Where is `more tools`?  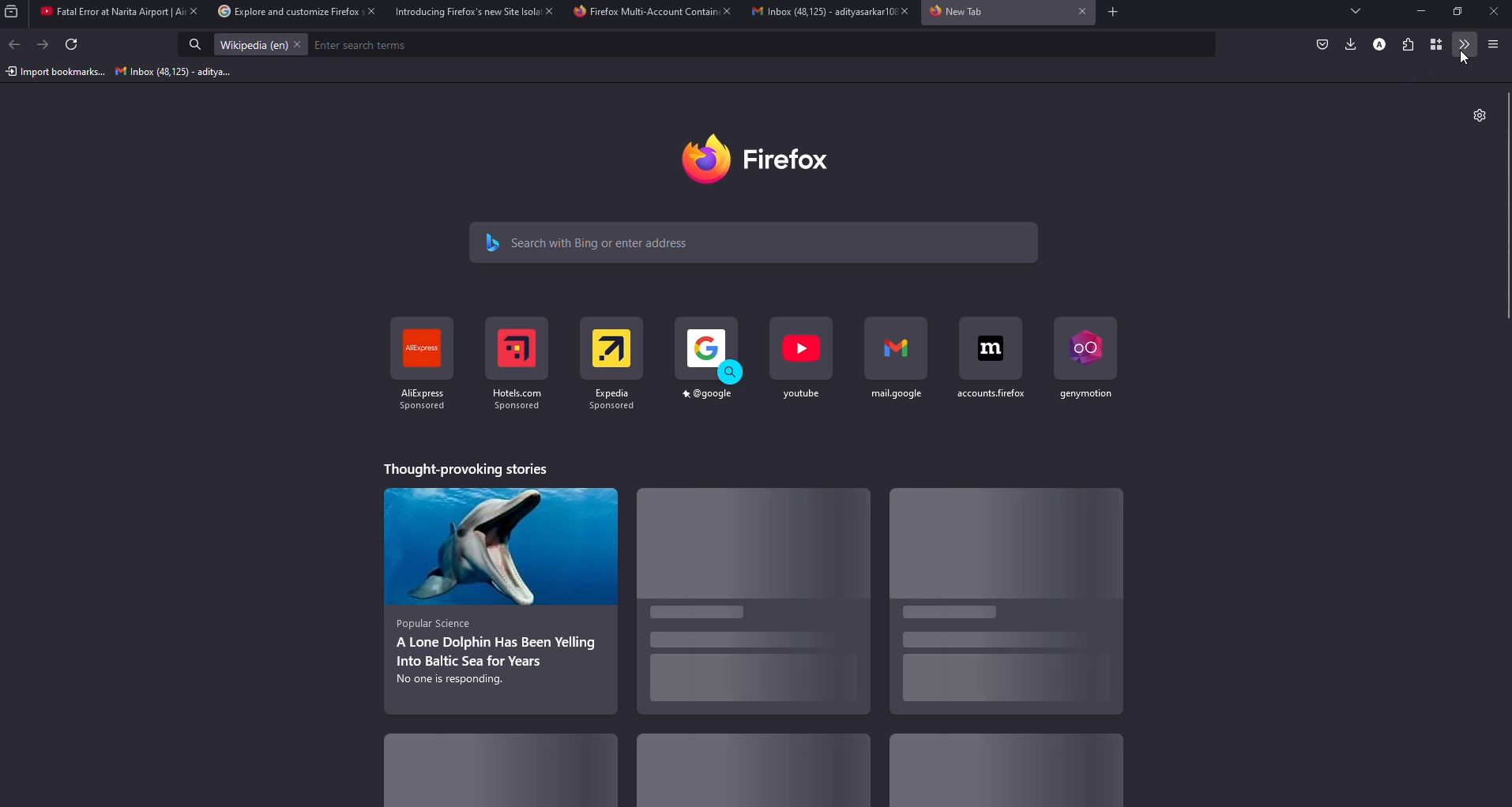 more tools is located at coordinates (1466, 45).